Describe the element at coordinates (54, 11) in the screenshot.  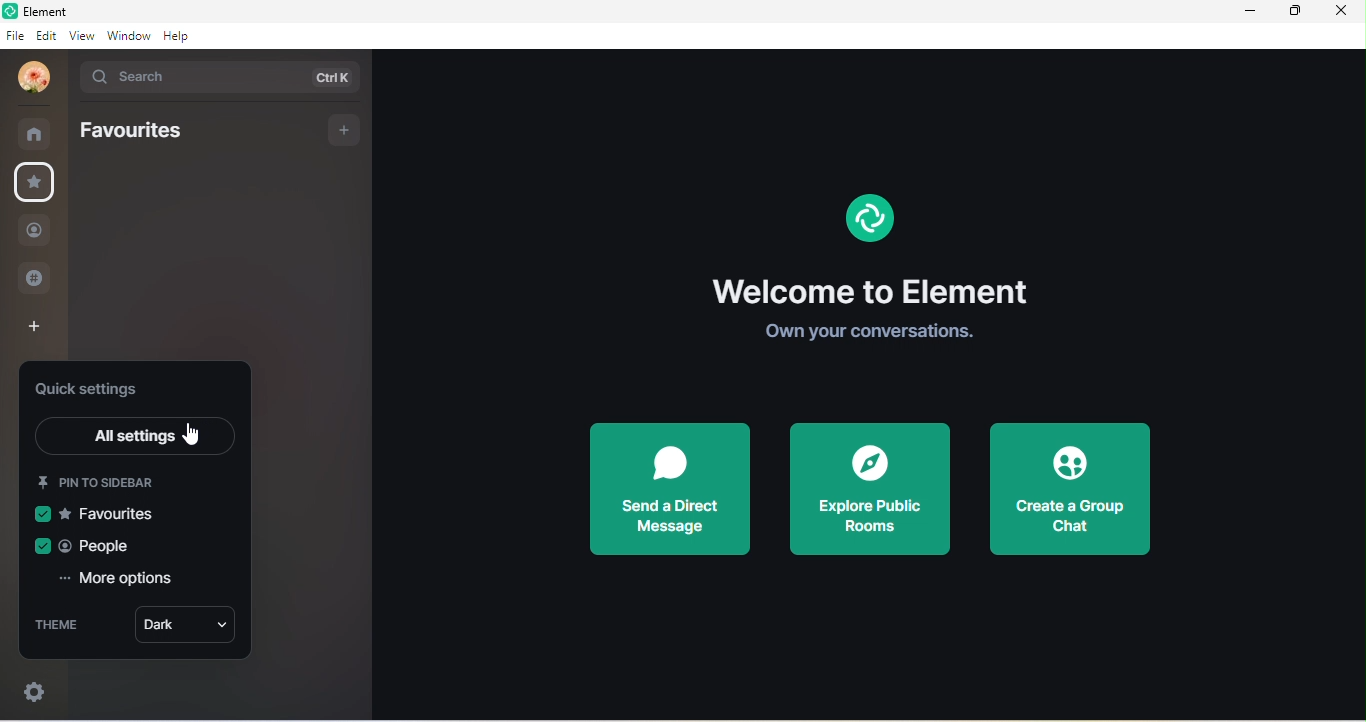
I see `Element` at that location.